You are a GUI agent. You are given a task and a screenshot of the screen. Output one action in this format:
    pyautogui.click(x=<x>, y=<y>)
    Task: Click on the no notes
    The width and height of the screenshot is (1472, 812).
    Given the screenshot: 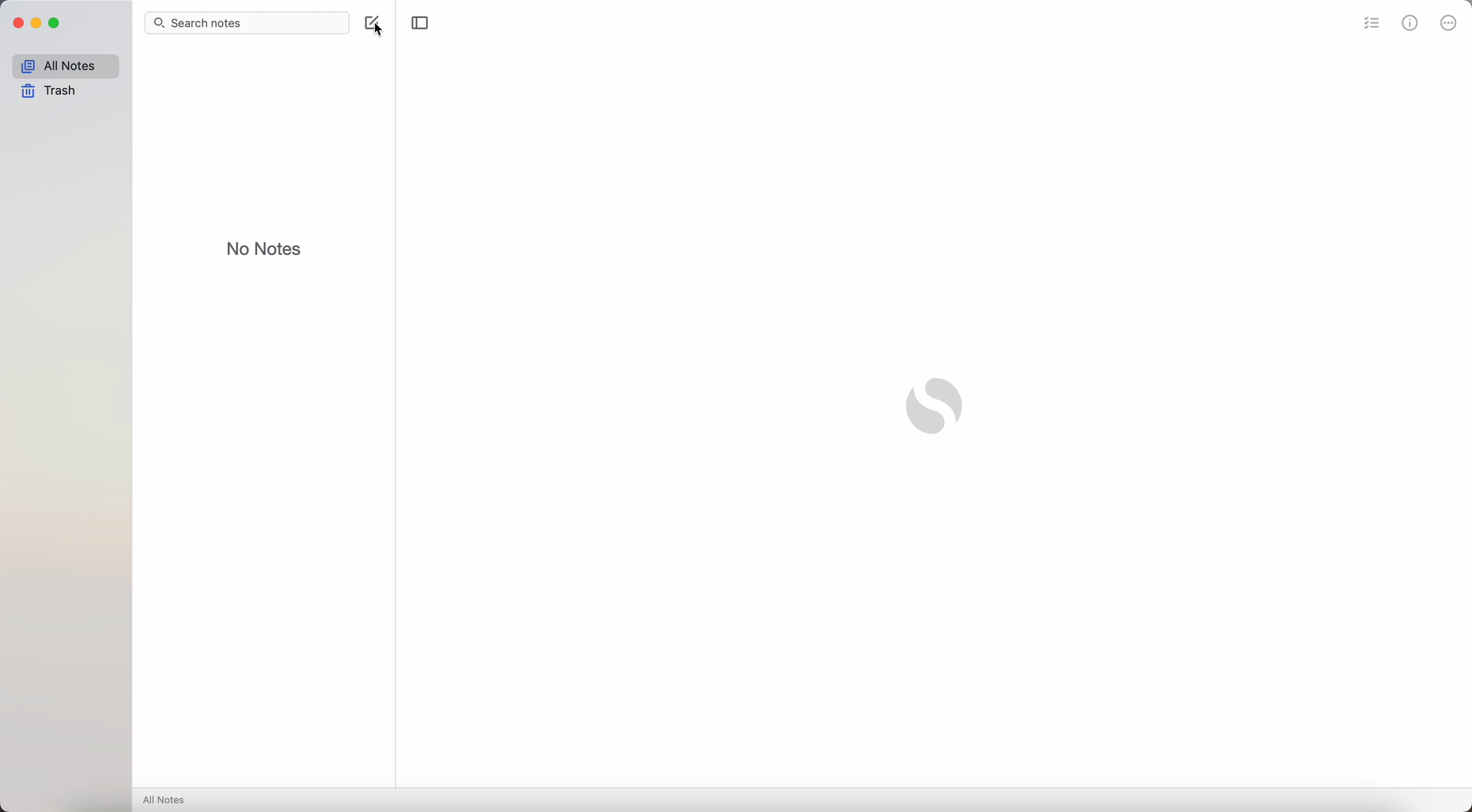 What is the action you would take?
    pyautogui.click(x=261, y=246)
    